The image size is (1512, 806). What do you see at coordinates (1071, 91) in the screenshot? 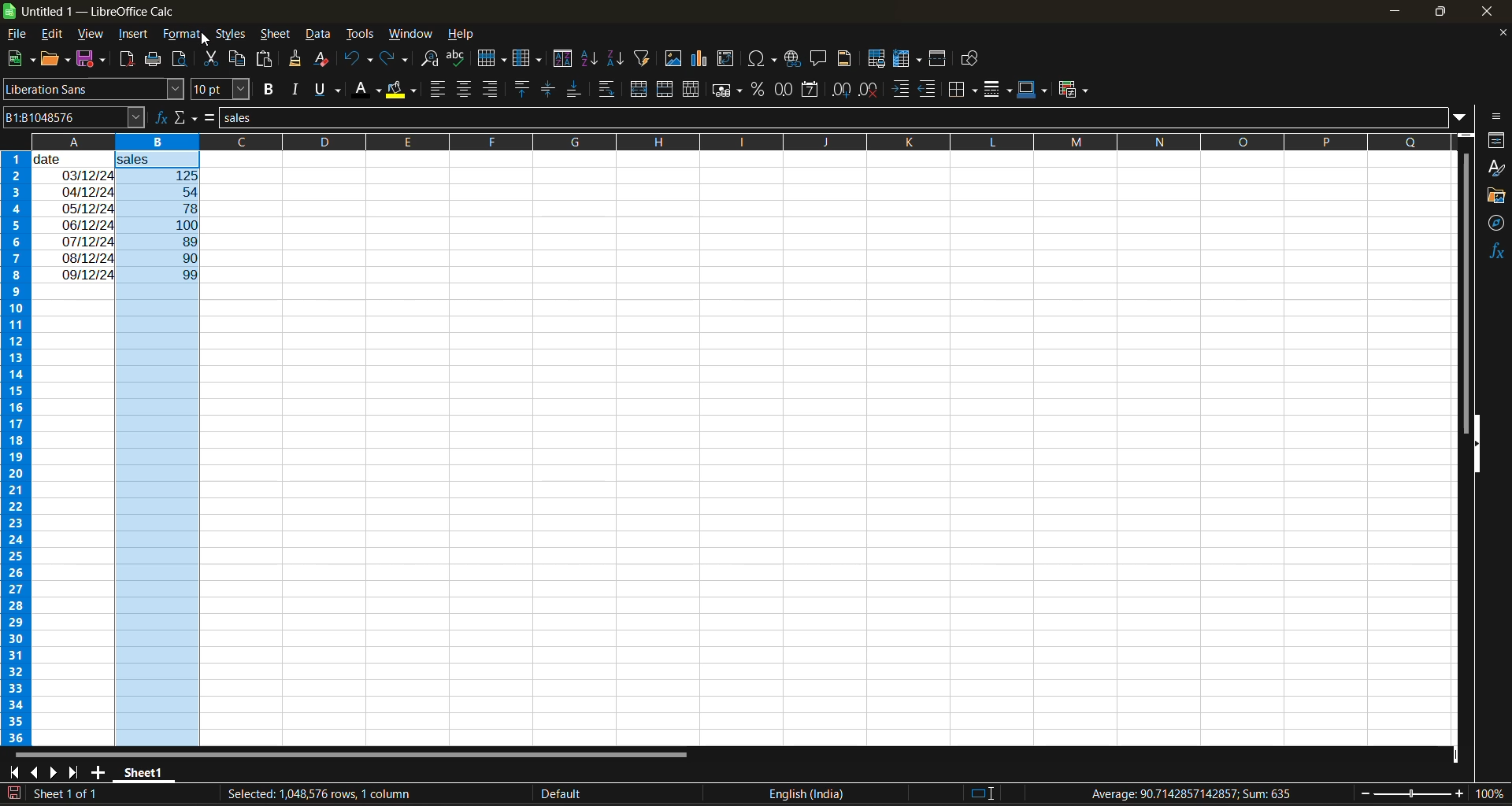
I see `conditional` at bounding box center [1071, 91].